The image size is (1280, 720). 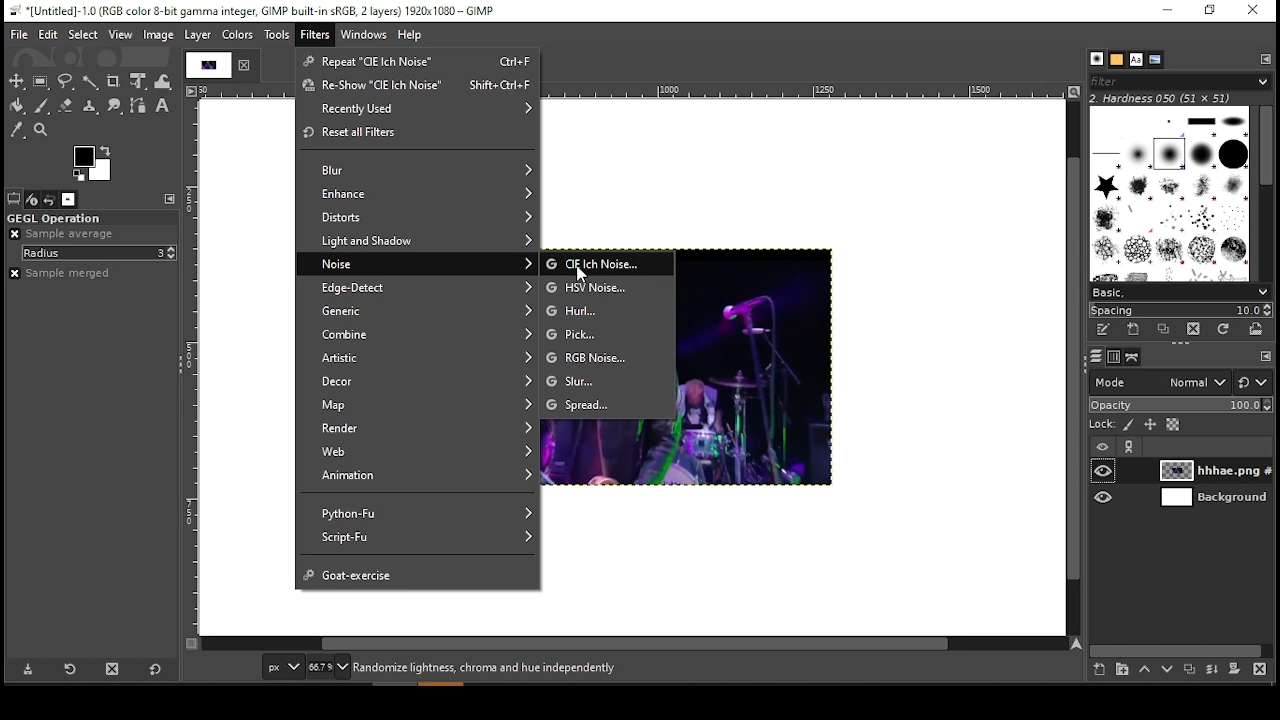 What do you see at coordinates (417, 572) in the screenshot?
I see `goat exercise` at bounding box center [417, 572].